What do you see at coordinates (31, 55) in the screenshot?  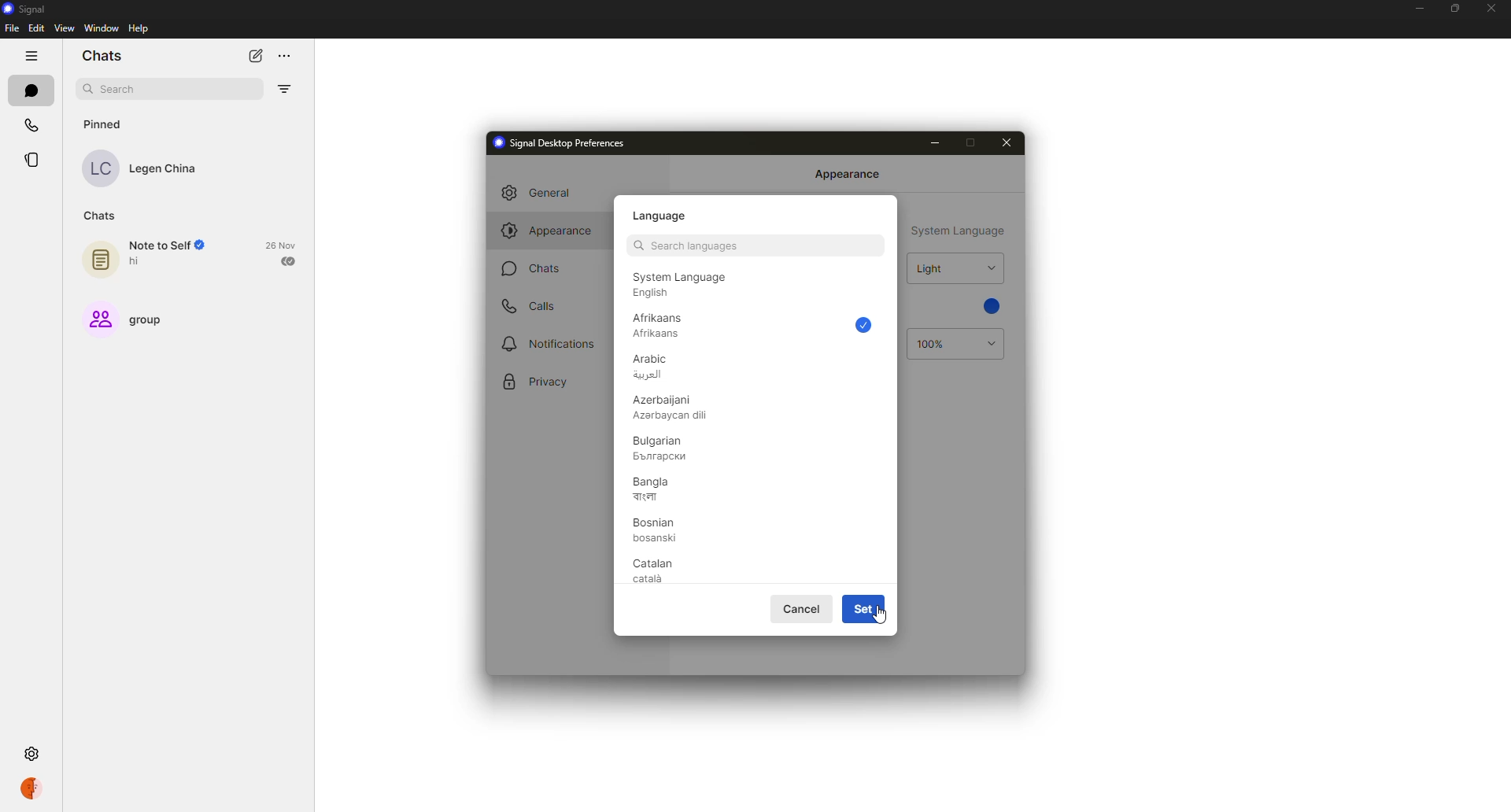 I see `hide tabs` at bounding box center [31, 55].